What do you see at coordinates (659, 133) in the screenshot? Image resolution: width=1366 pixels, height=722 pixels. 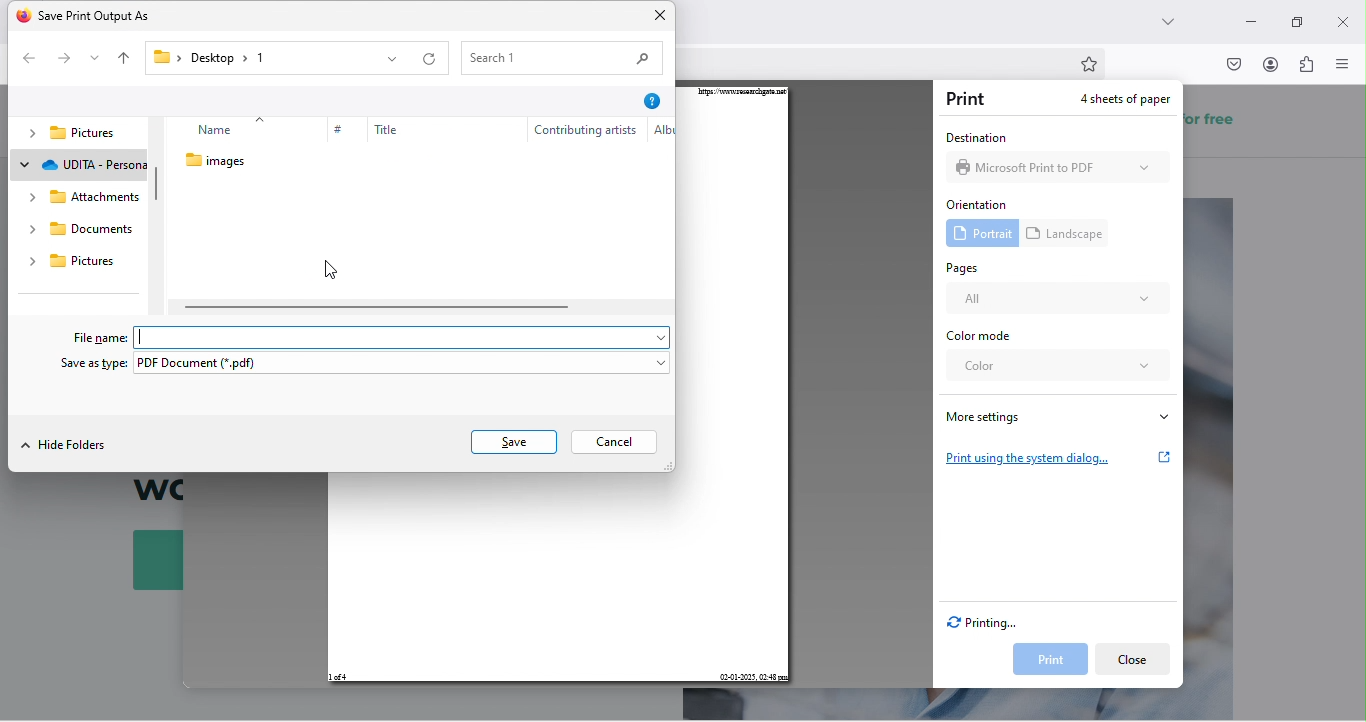 I see `Alb` at bounding box center [659, 133].